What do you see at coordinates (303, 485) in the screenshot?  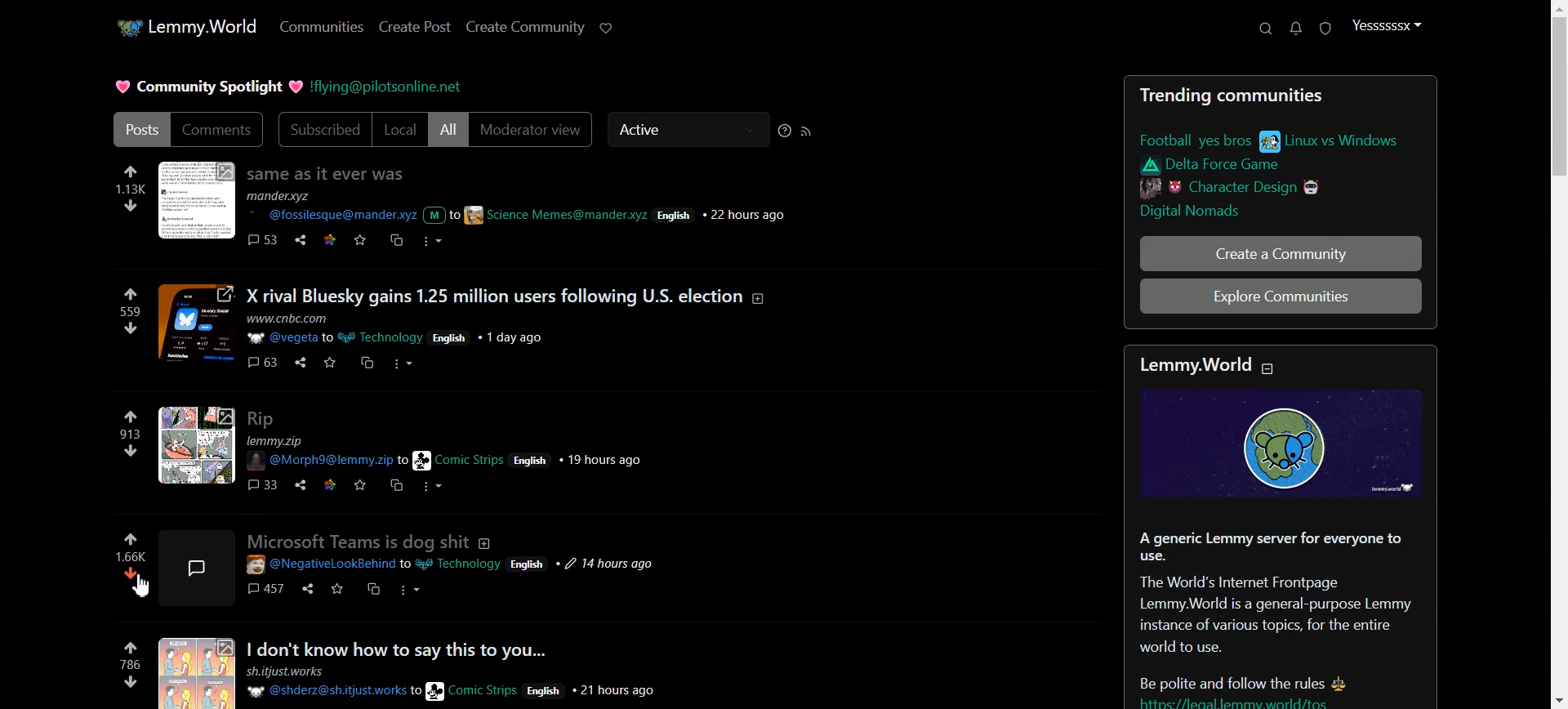 I see `share` at bounding box center [303, 485].